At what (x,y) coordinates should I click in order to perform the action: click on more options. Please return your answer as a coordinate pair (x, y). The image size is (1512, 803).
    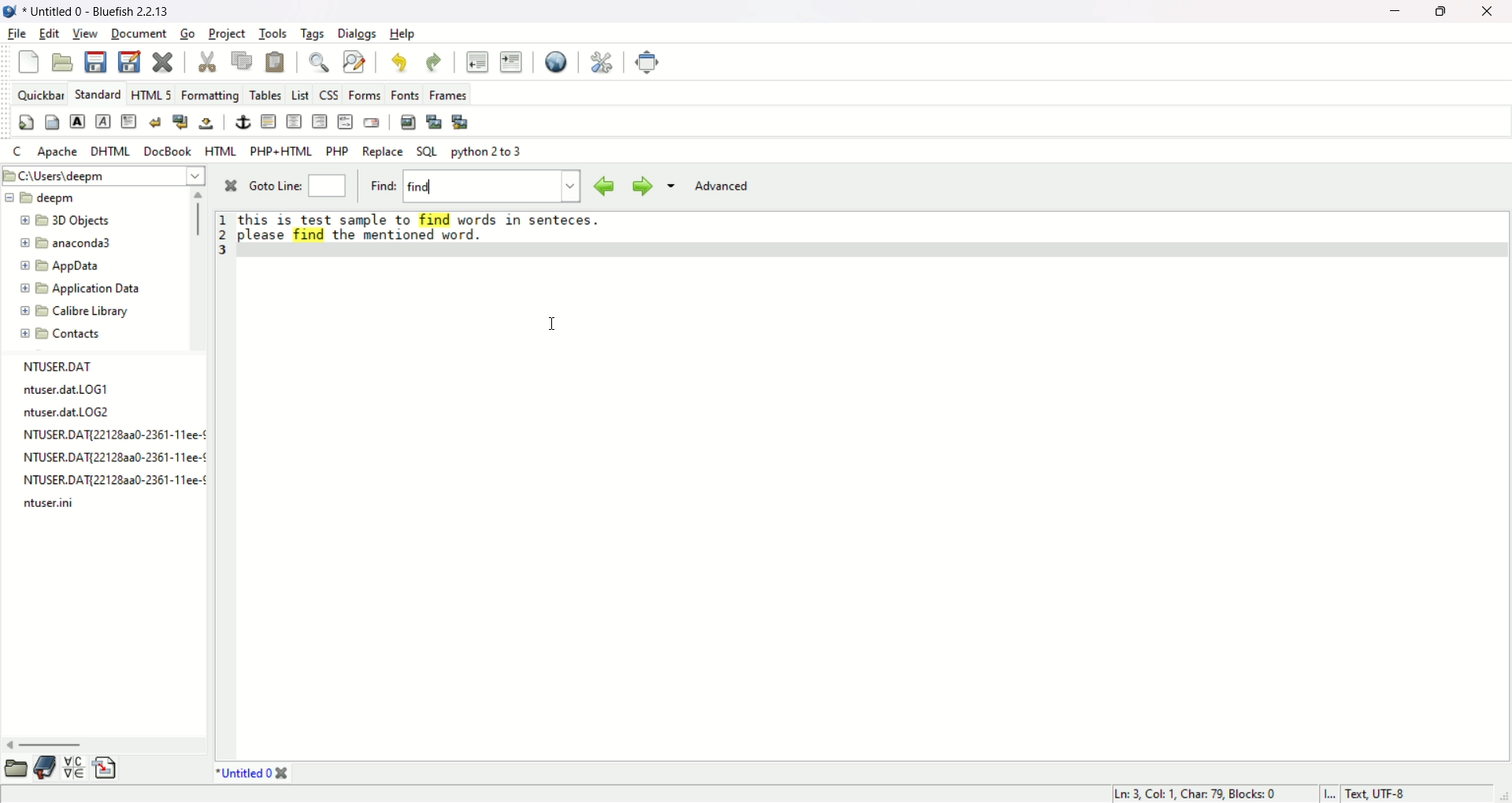
    Looking at the image, I should click on (669, 189).